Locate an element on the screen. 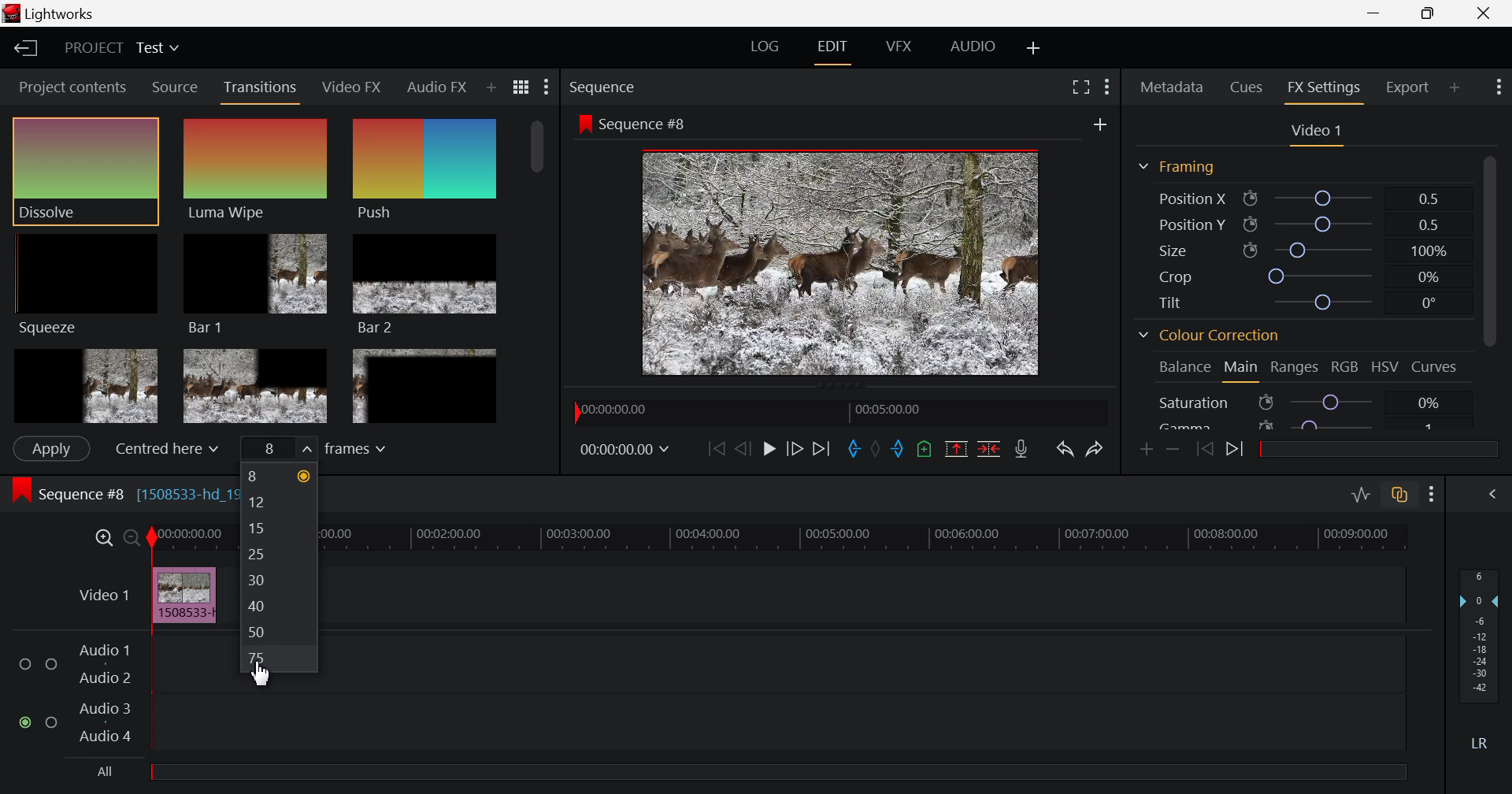 This screenshot has height=794, width=1512. Toggle auto track sync is located at coordinates (1399, 495).